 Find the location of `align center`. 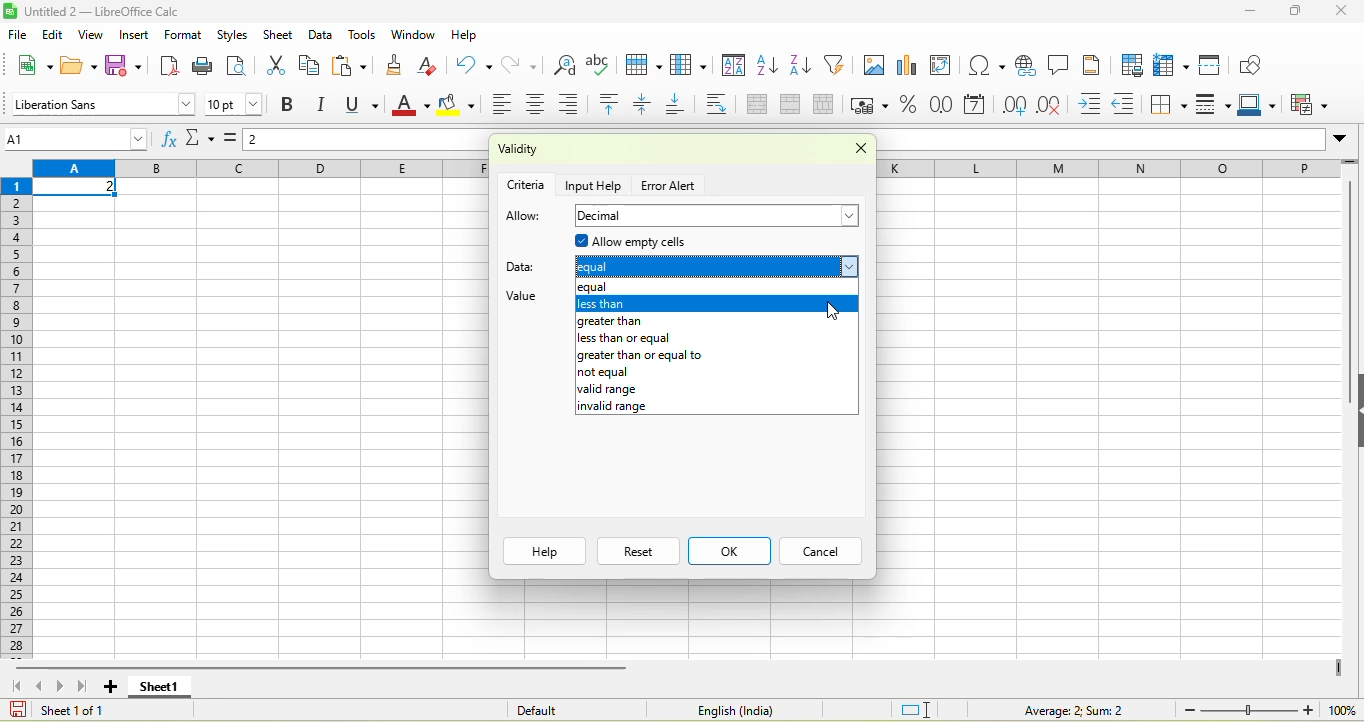

align center is located at coordinates (539, 106).